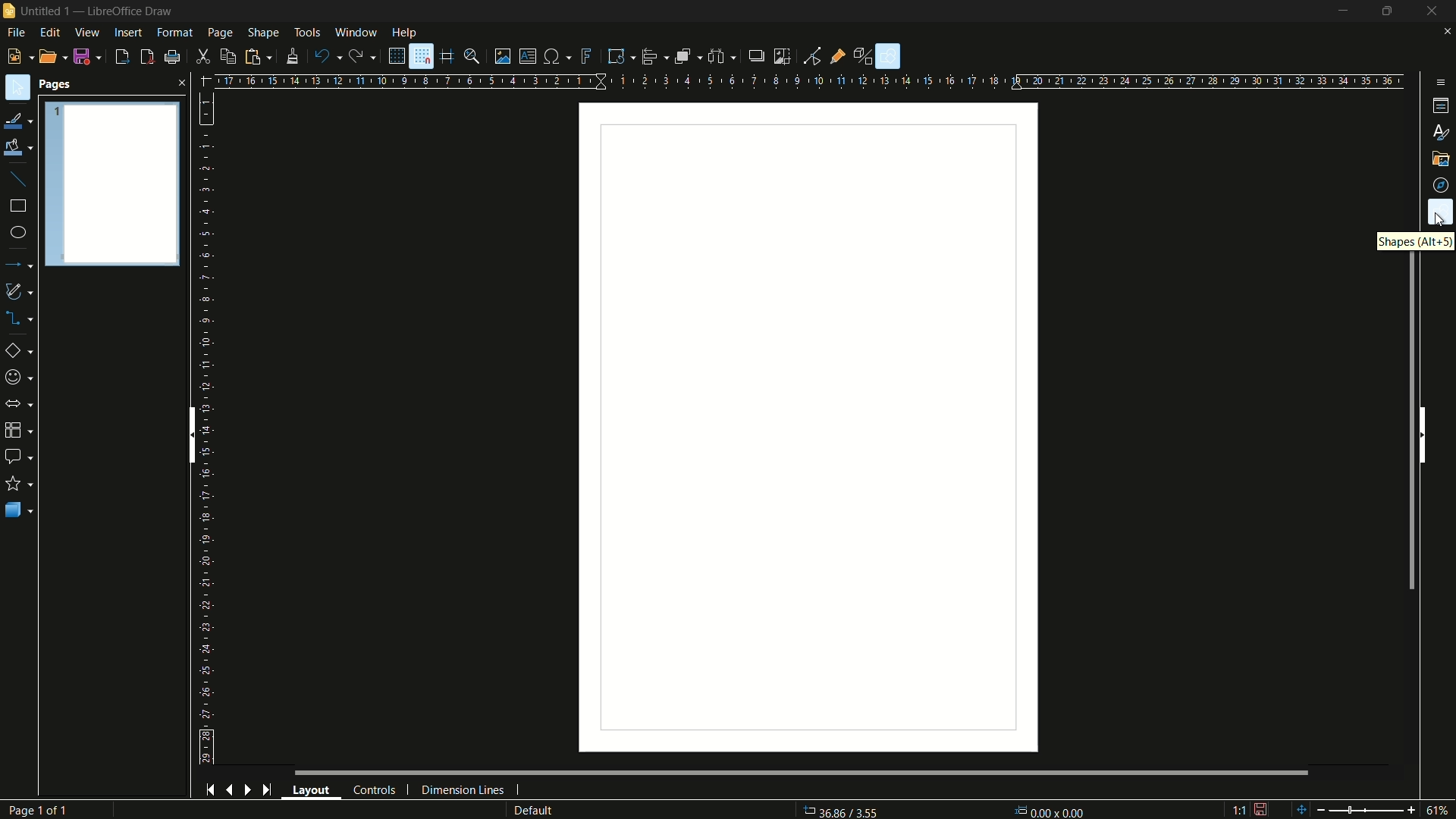 This screenshot has width=1456, height=819. Describe the element at coordinates (526, 56) in the screenshot. I see `insert textbox` at that location.